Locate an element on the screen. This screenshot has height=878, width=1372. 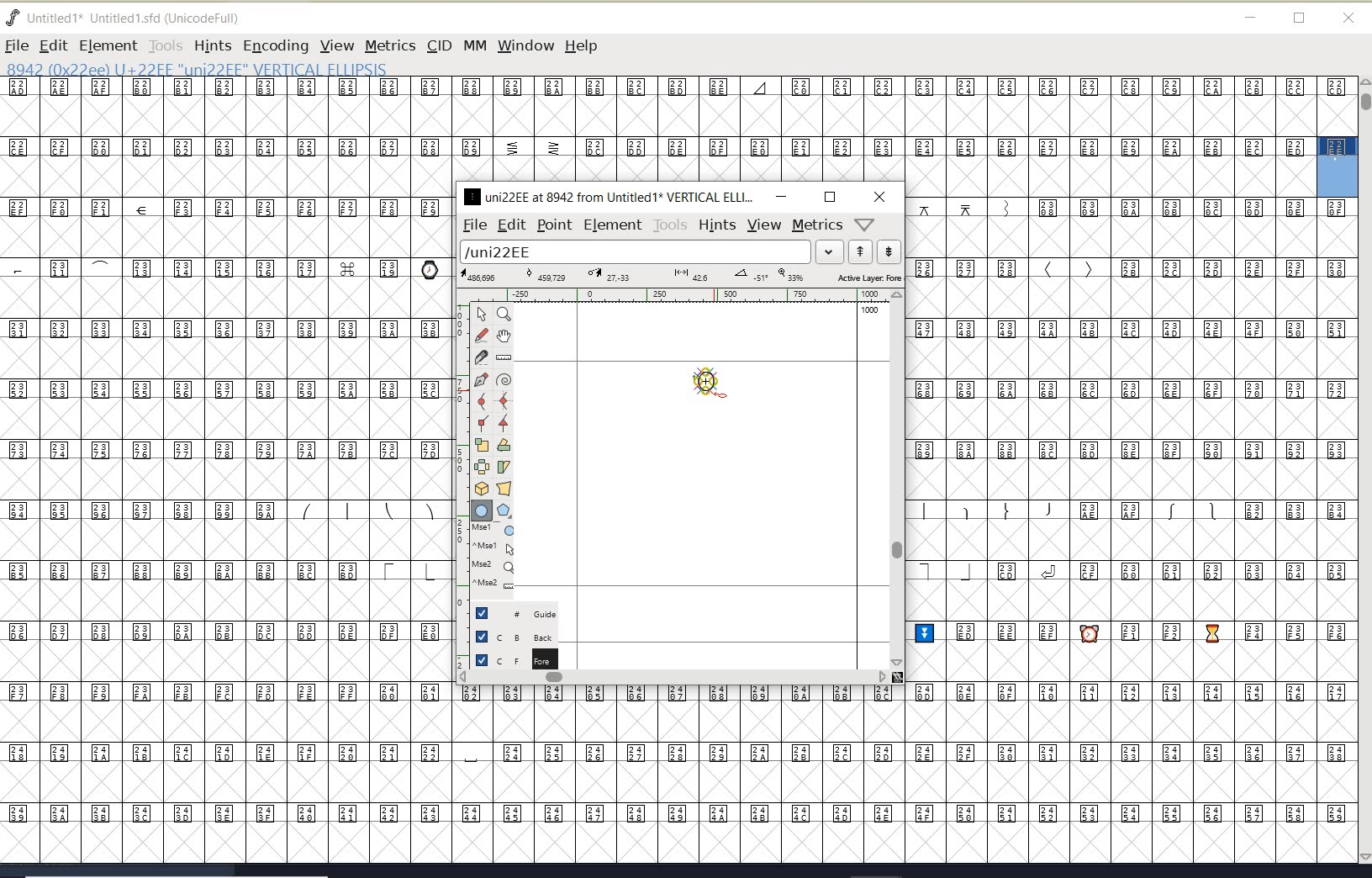
ELEMENT is located at coordinates (108, 45).